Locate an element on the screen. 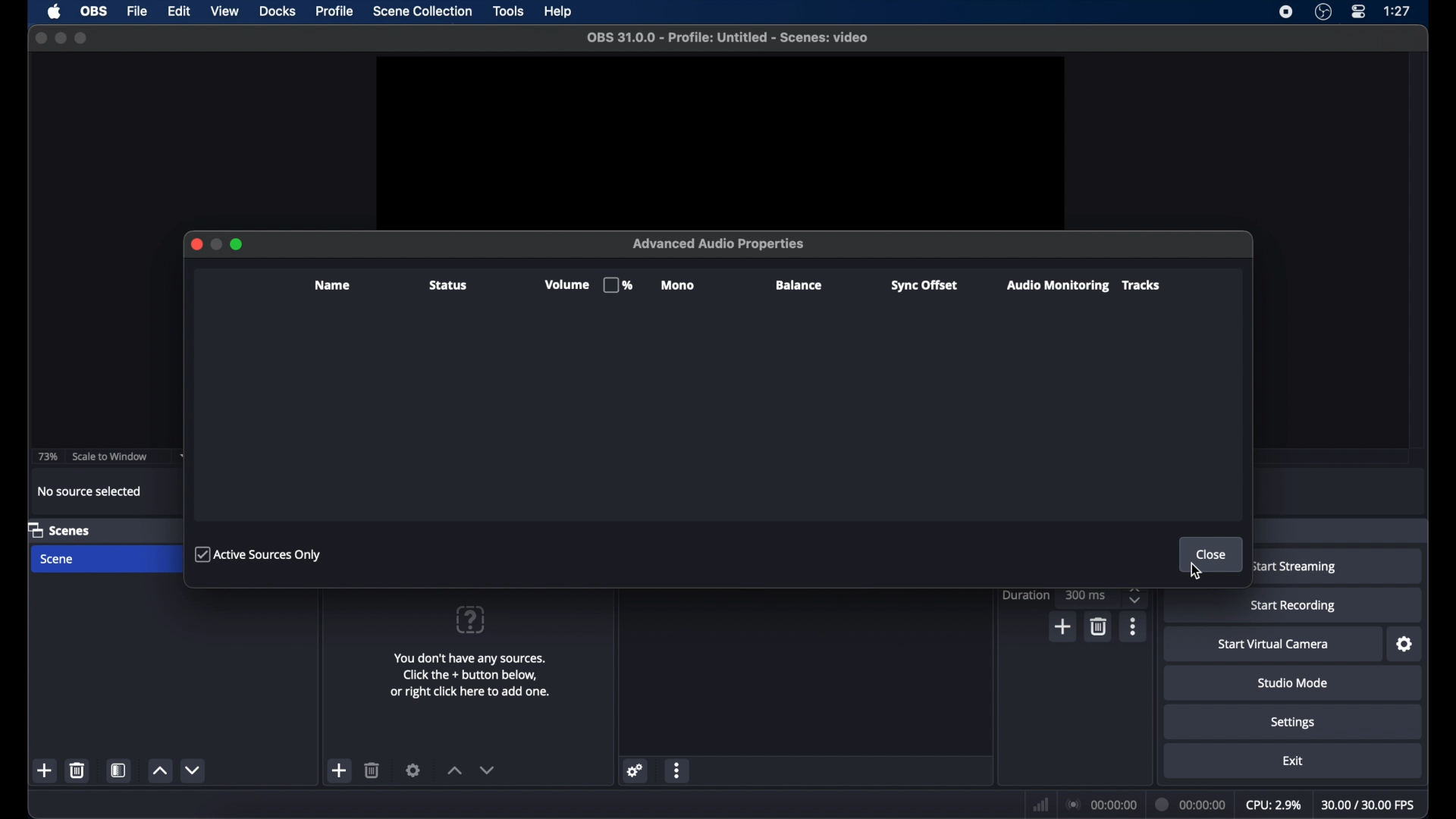 The image size is (1456, 819). status is located at coordinates (447, 286).